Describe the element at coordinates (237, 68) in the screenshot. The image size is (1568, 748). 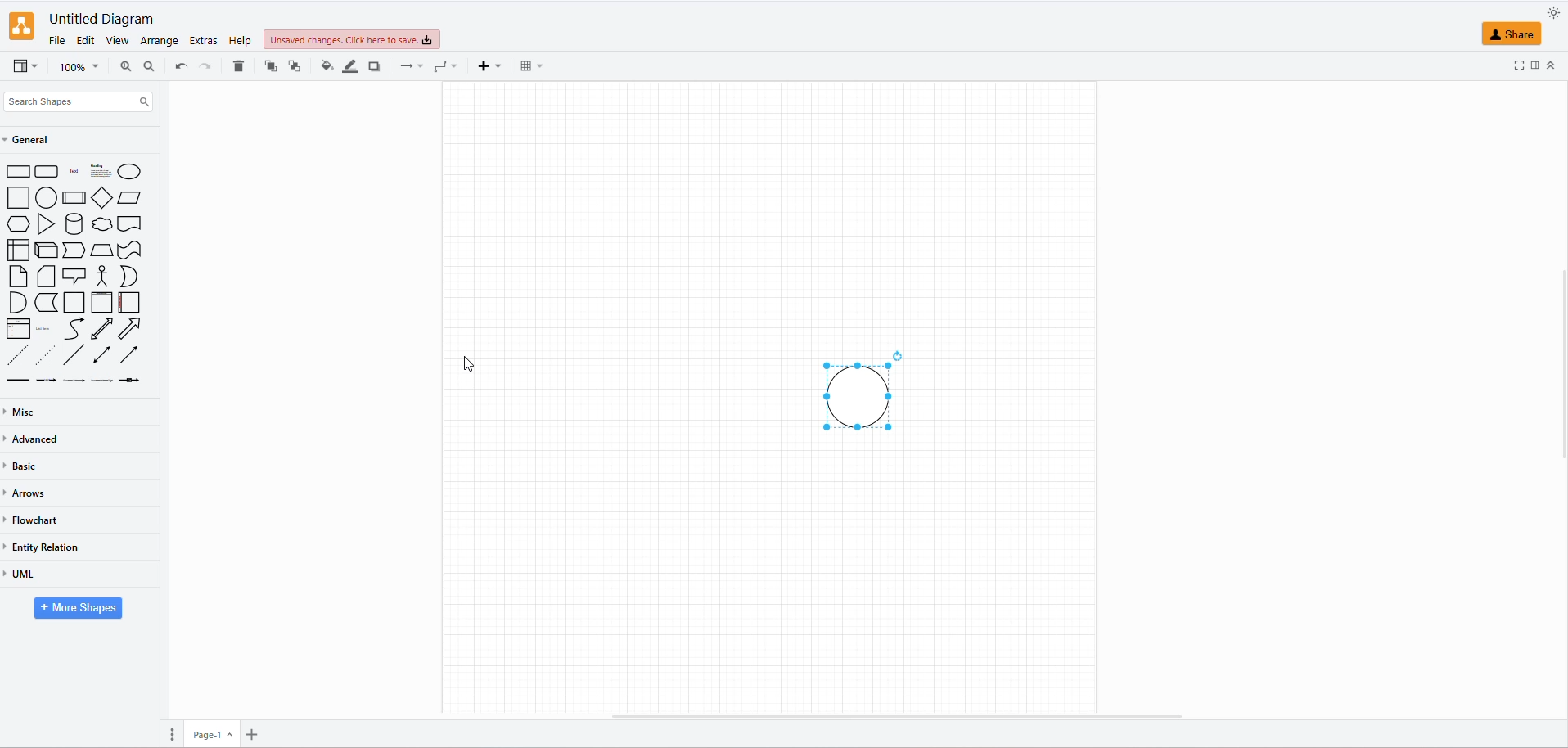
I see `DELETE` at that location.